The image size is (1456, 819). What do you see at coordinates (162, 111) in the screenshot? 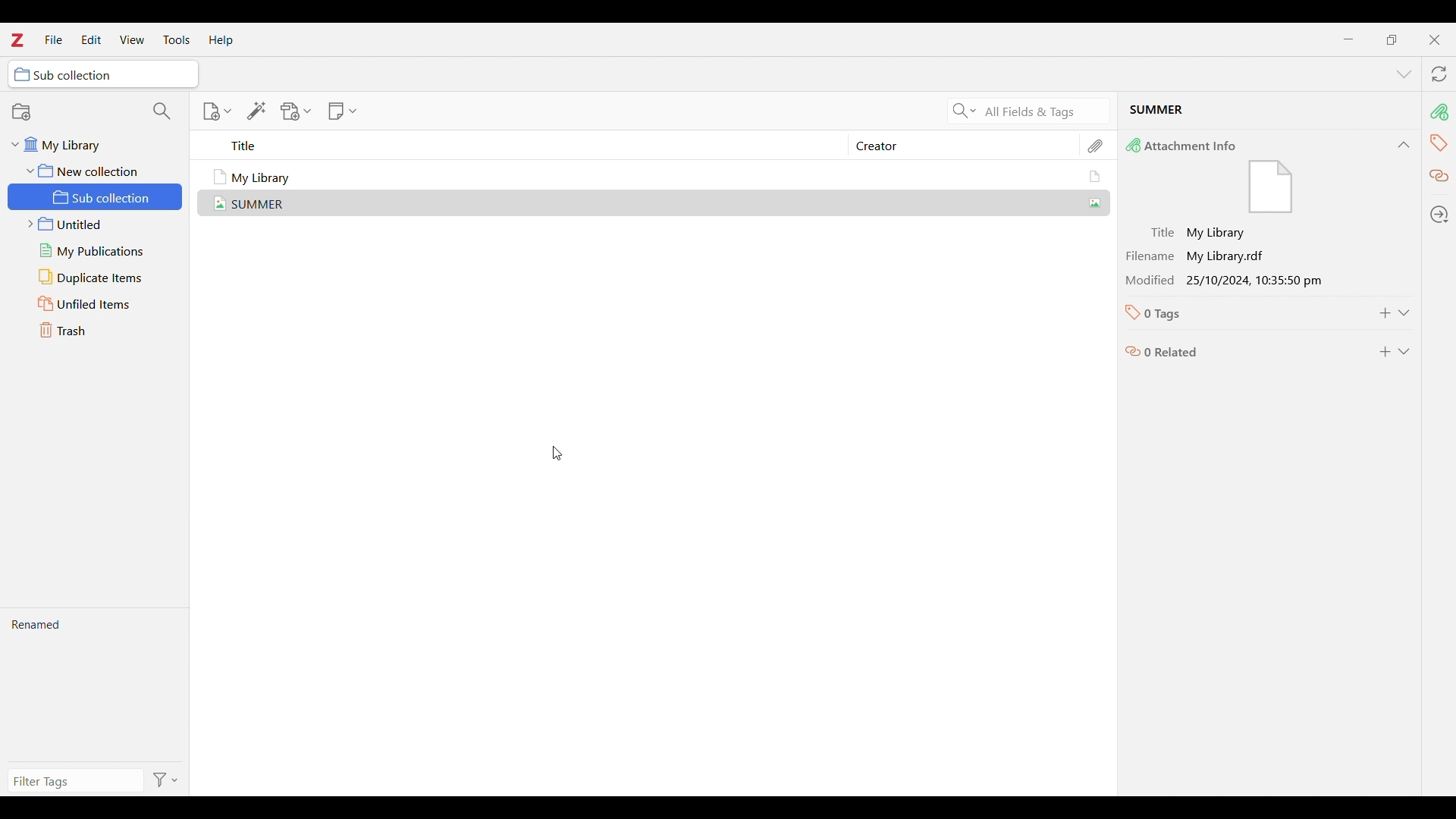
I see `Filter collections` at bounding box center [162, 111].